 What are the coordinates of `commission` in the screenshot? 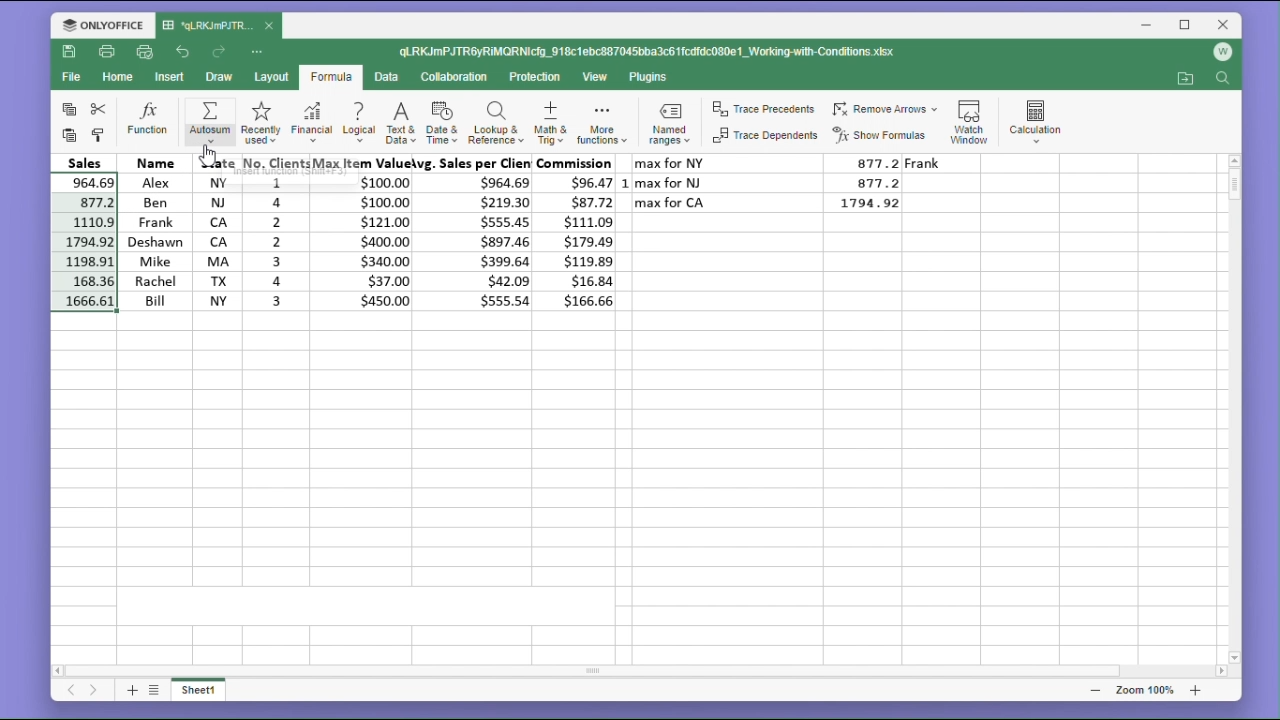 It's located at (580, 233).